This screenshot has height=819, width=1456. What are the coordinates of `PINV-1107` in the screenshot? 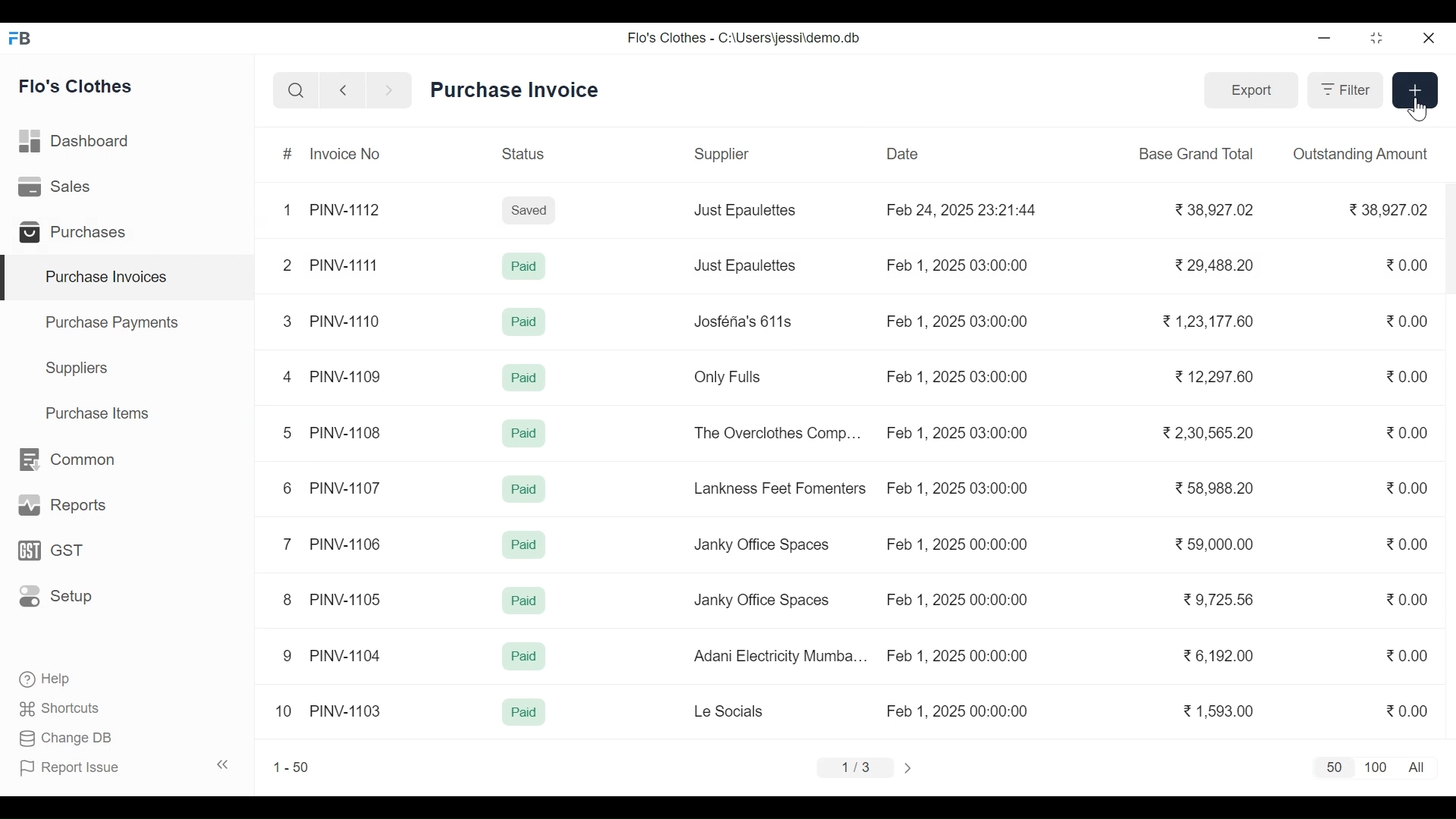 It's located at (346, 486).